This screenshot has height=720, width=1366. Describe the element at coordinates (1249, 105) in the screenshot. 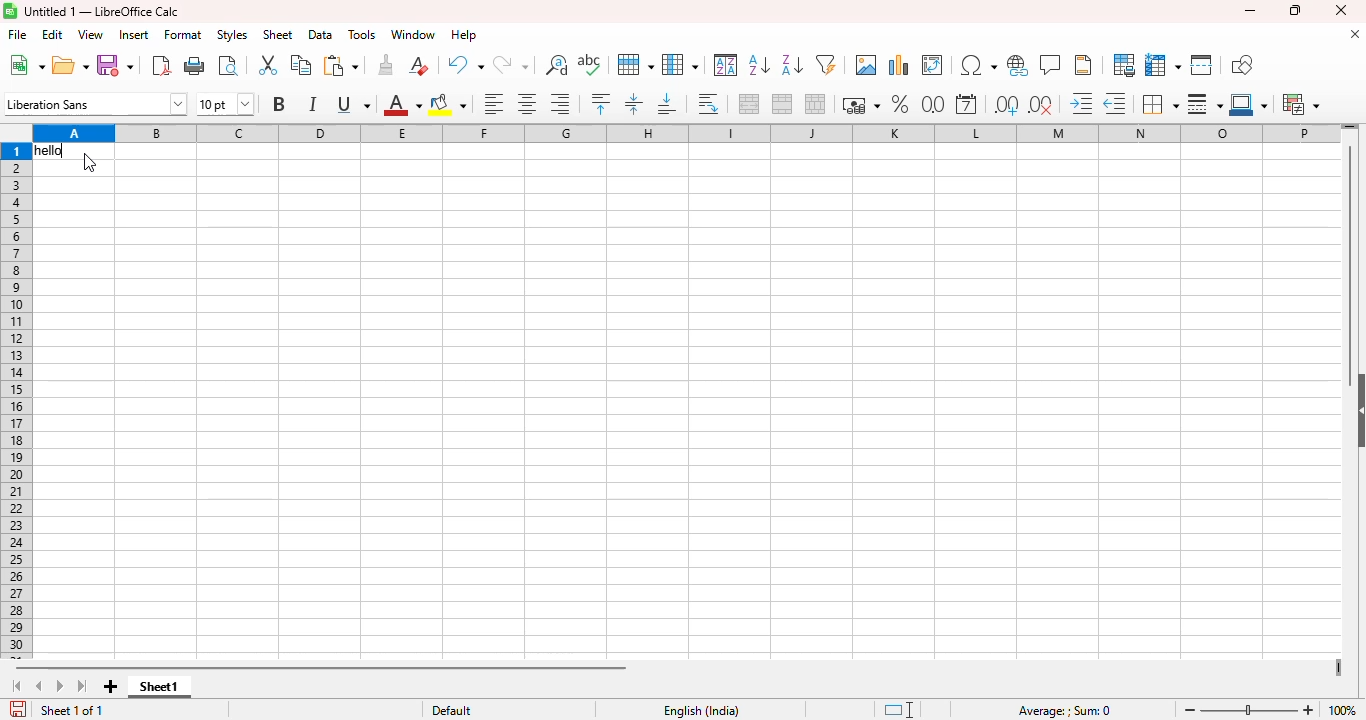

I see `border color` at that location.